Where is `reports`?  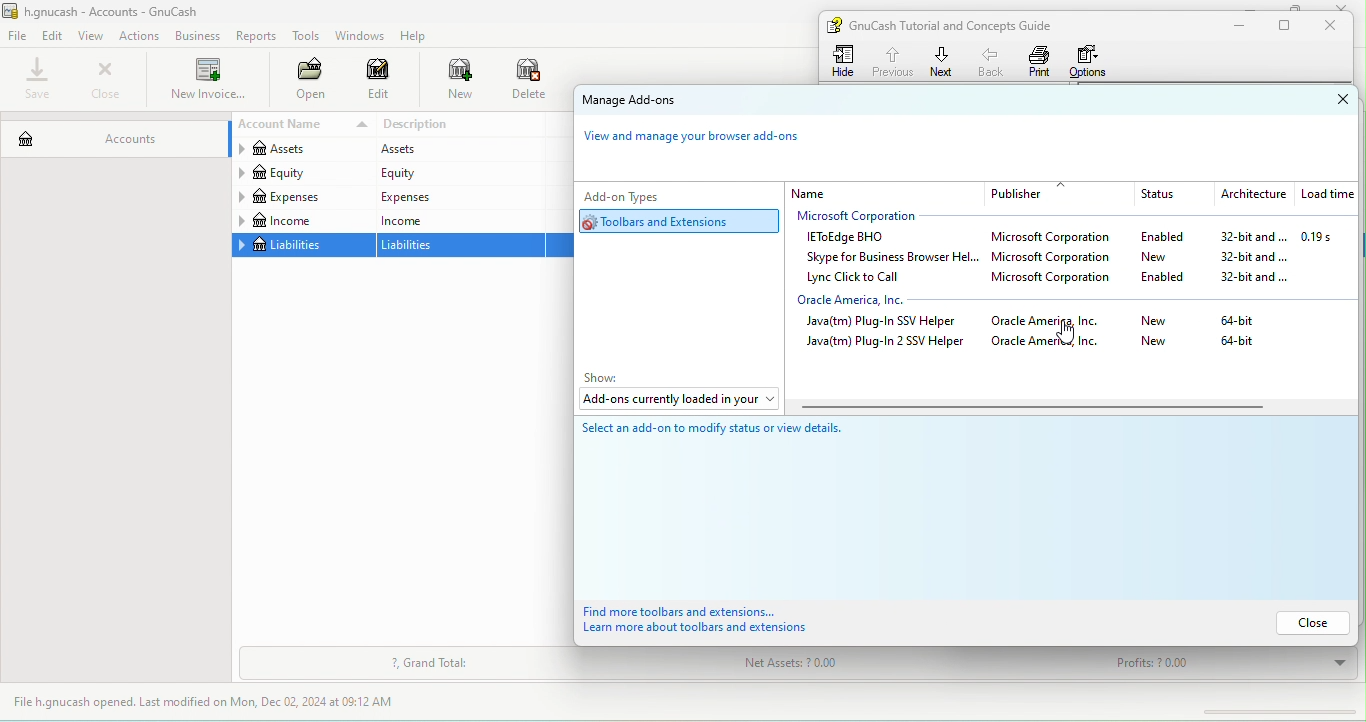
reports is located at coordinates (258, 36).